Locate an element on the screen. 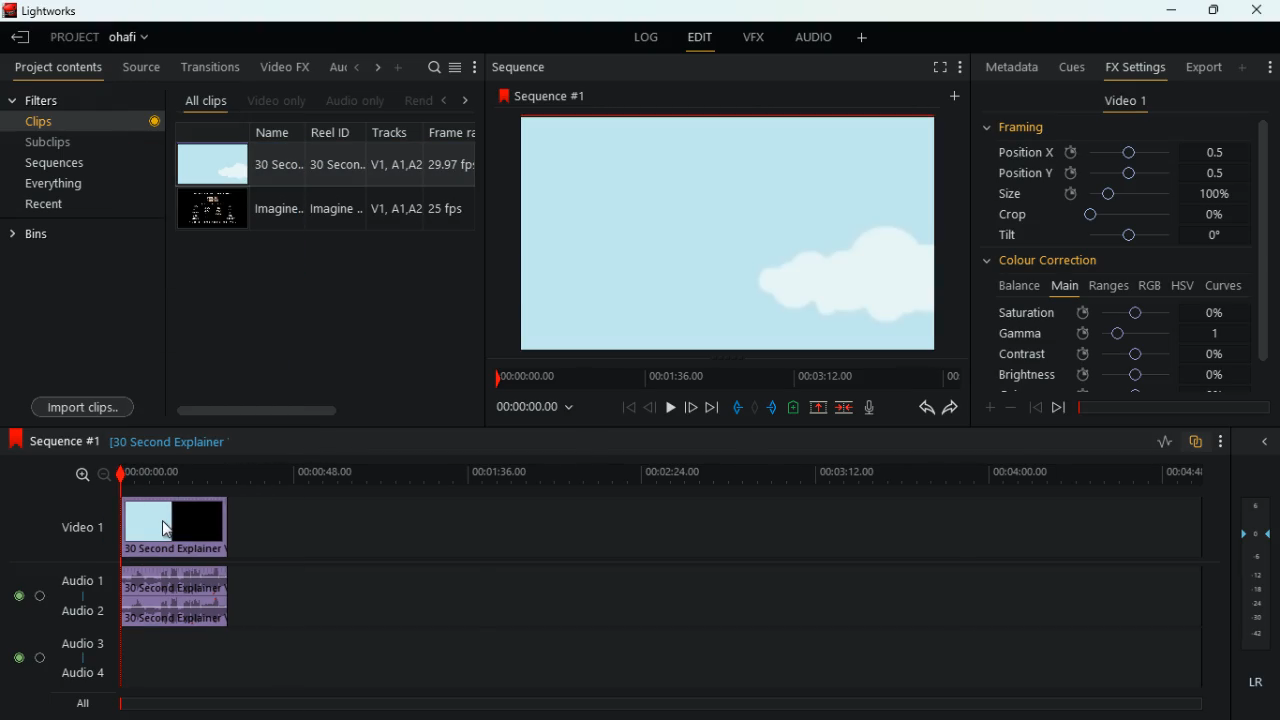 Image resolution: width=1280 pixels, height=720 pixels. menu is located at coordinates (455, 67).